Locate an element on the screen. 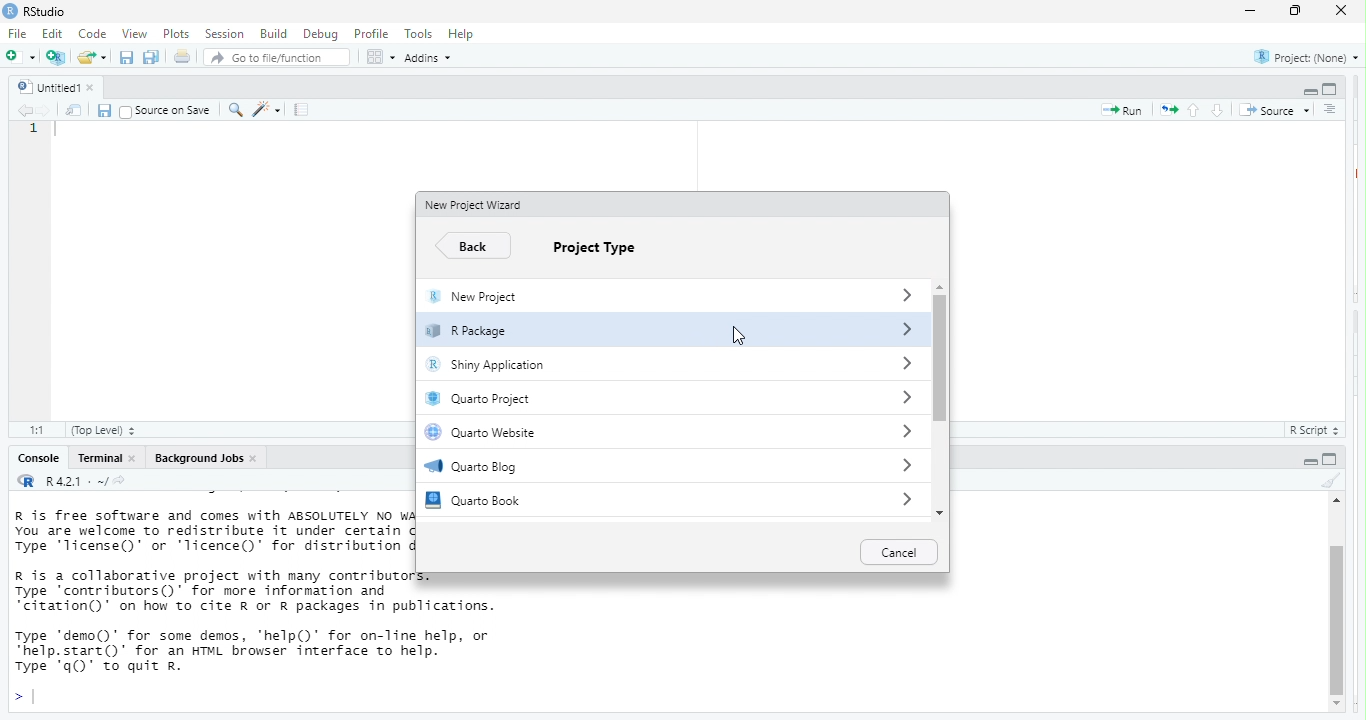 Image resolution: width=1366 pixels, height=720 pixels. R Package  is located at coordinates (629, 335).